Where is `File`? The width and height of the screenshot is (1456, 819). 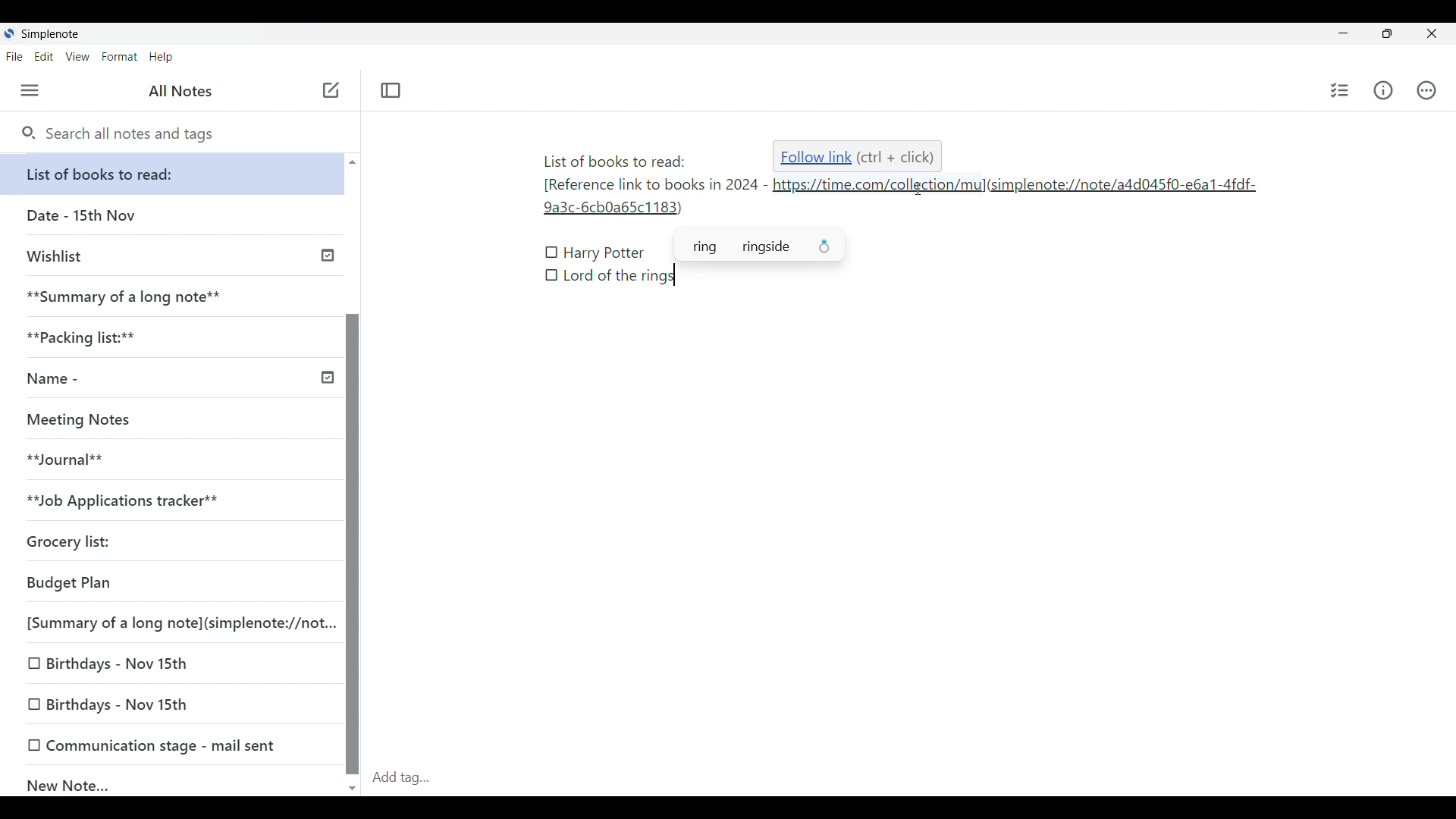
File is located at coordinates (14, 57).